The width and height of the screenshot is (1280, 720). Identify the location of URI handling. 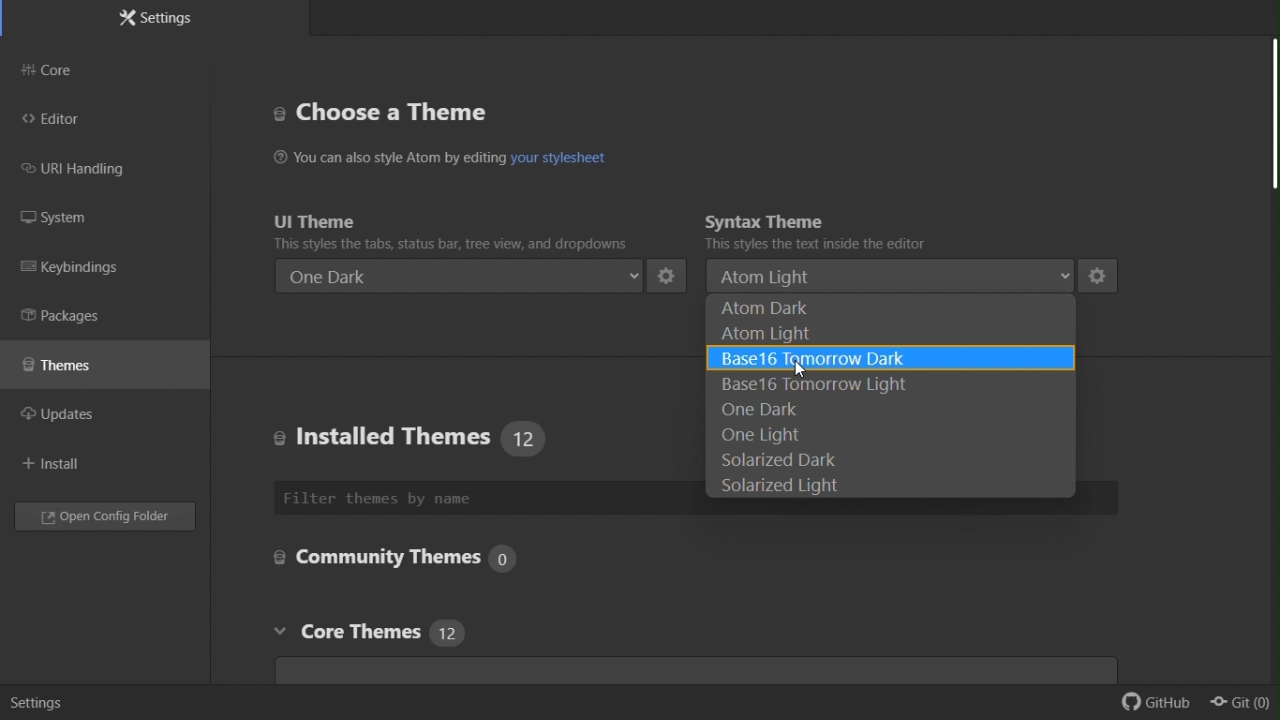
(87, 172).